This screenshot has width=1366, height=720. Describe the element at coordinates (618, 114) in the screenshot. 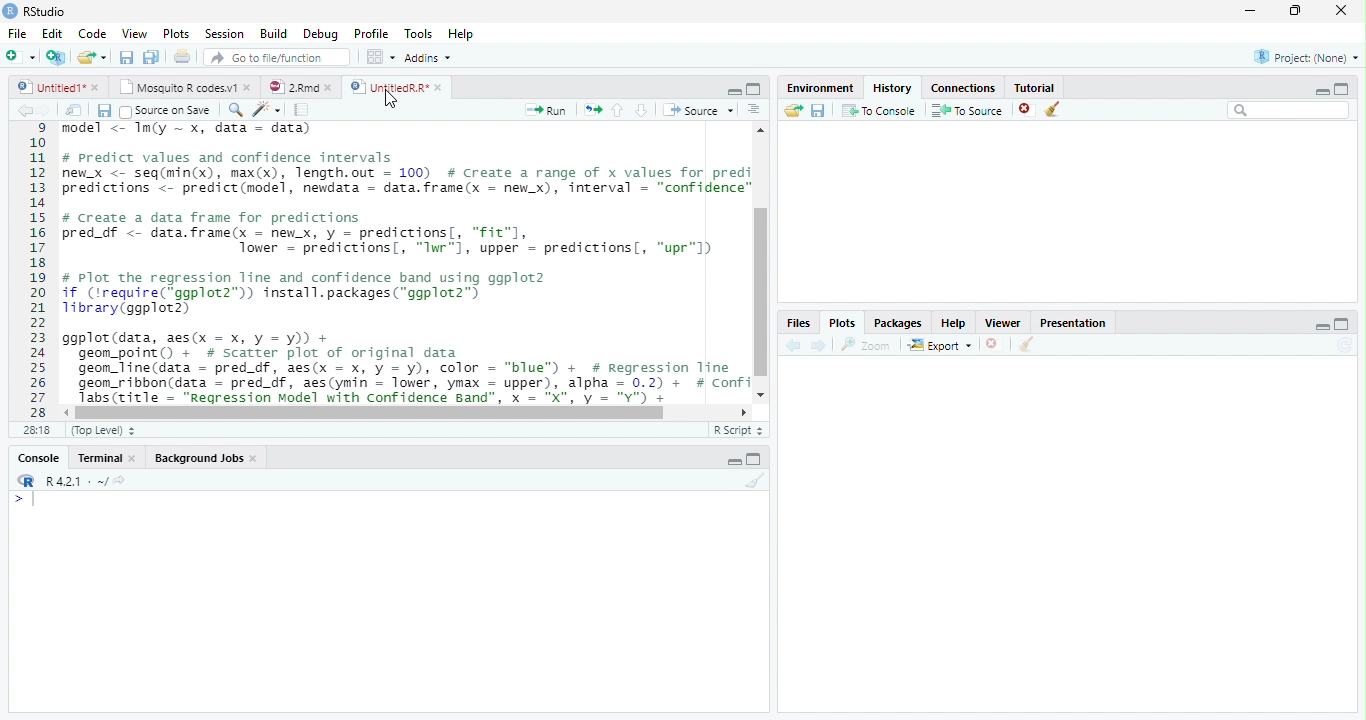

I see `Go to the previous section/chunk` at that location.